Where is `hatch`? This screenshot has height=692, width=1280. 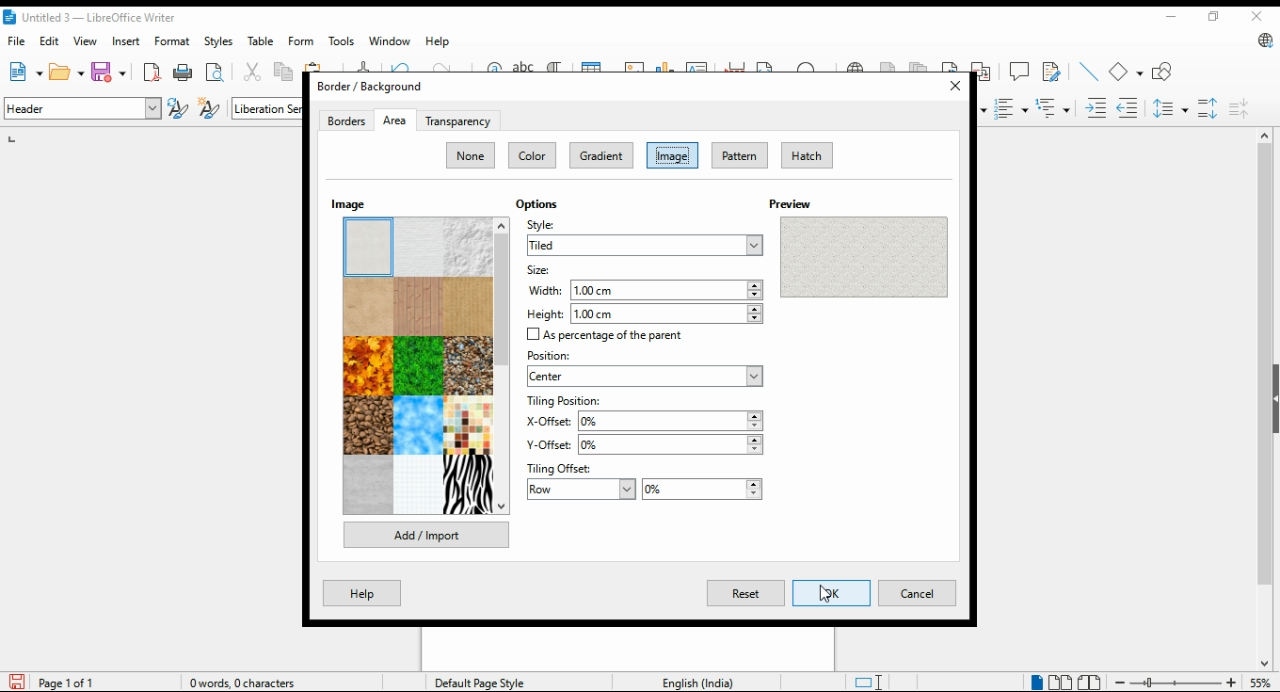 hatch is located at coordinates (805, 156).